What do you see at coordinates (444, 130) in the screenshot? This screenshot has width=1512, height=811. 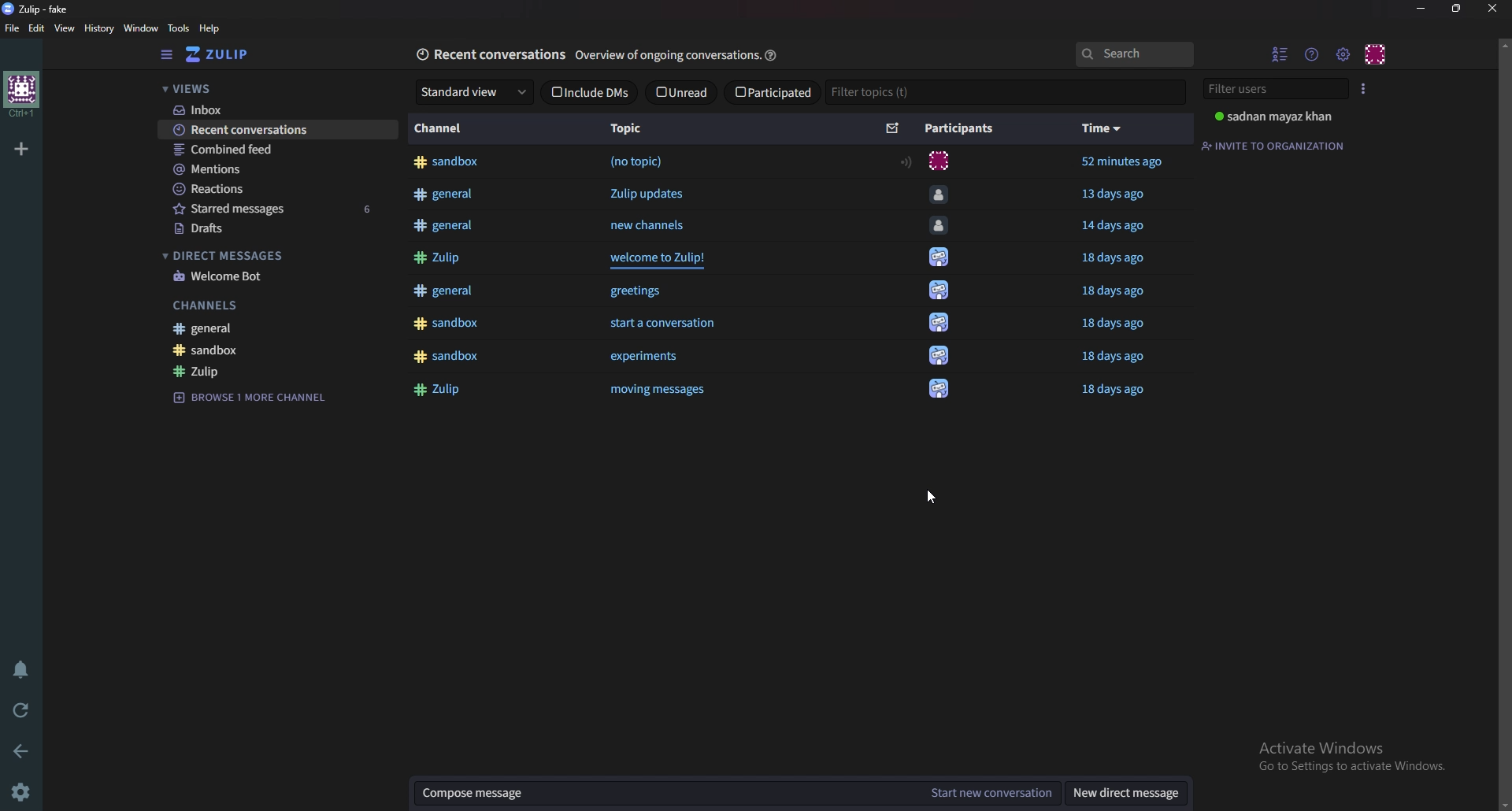 I see `Channel` at bounding box center [444, 130].